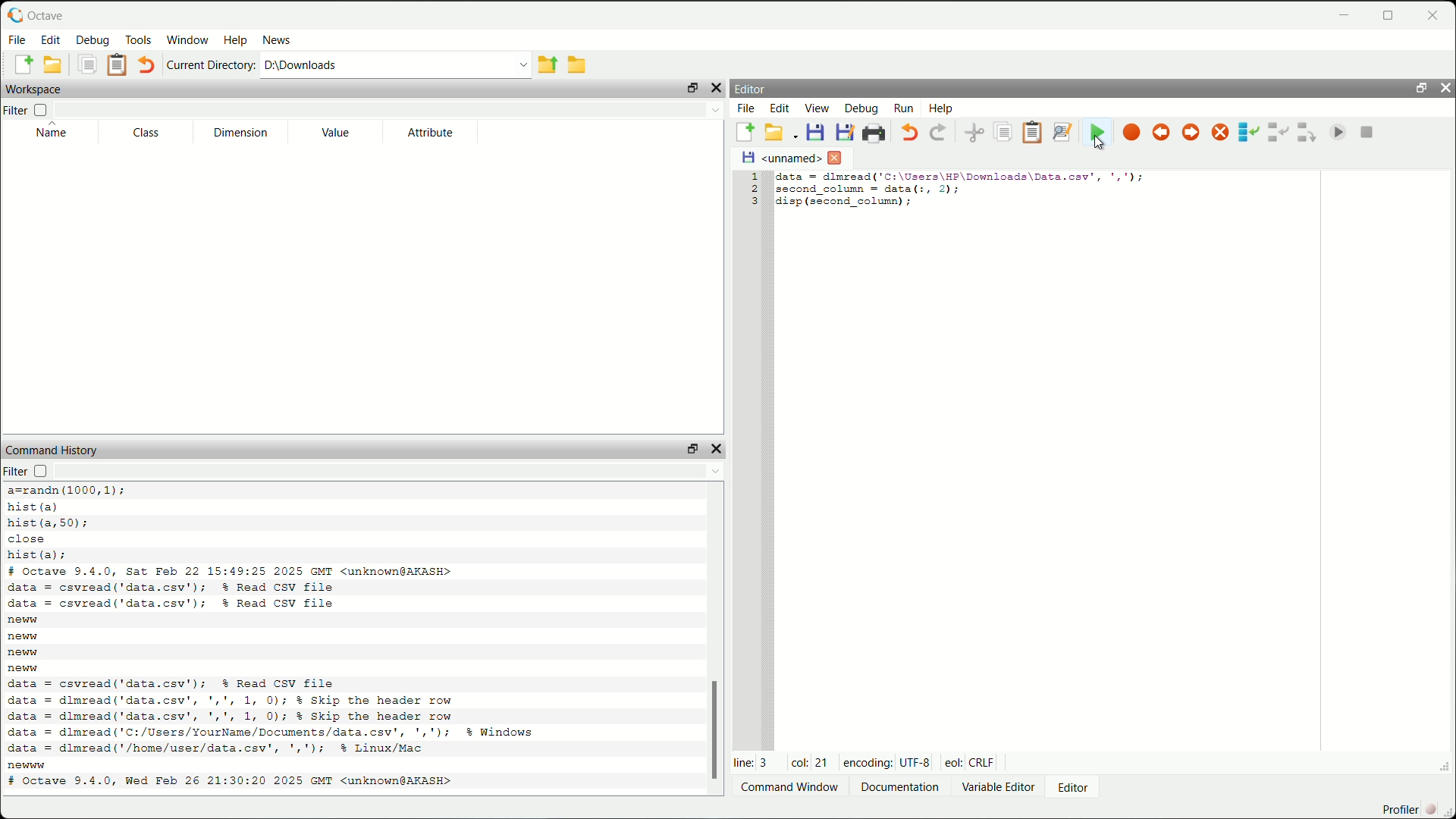 The image size is (1456, 819). I want to click on current directory, so click(211, 66).